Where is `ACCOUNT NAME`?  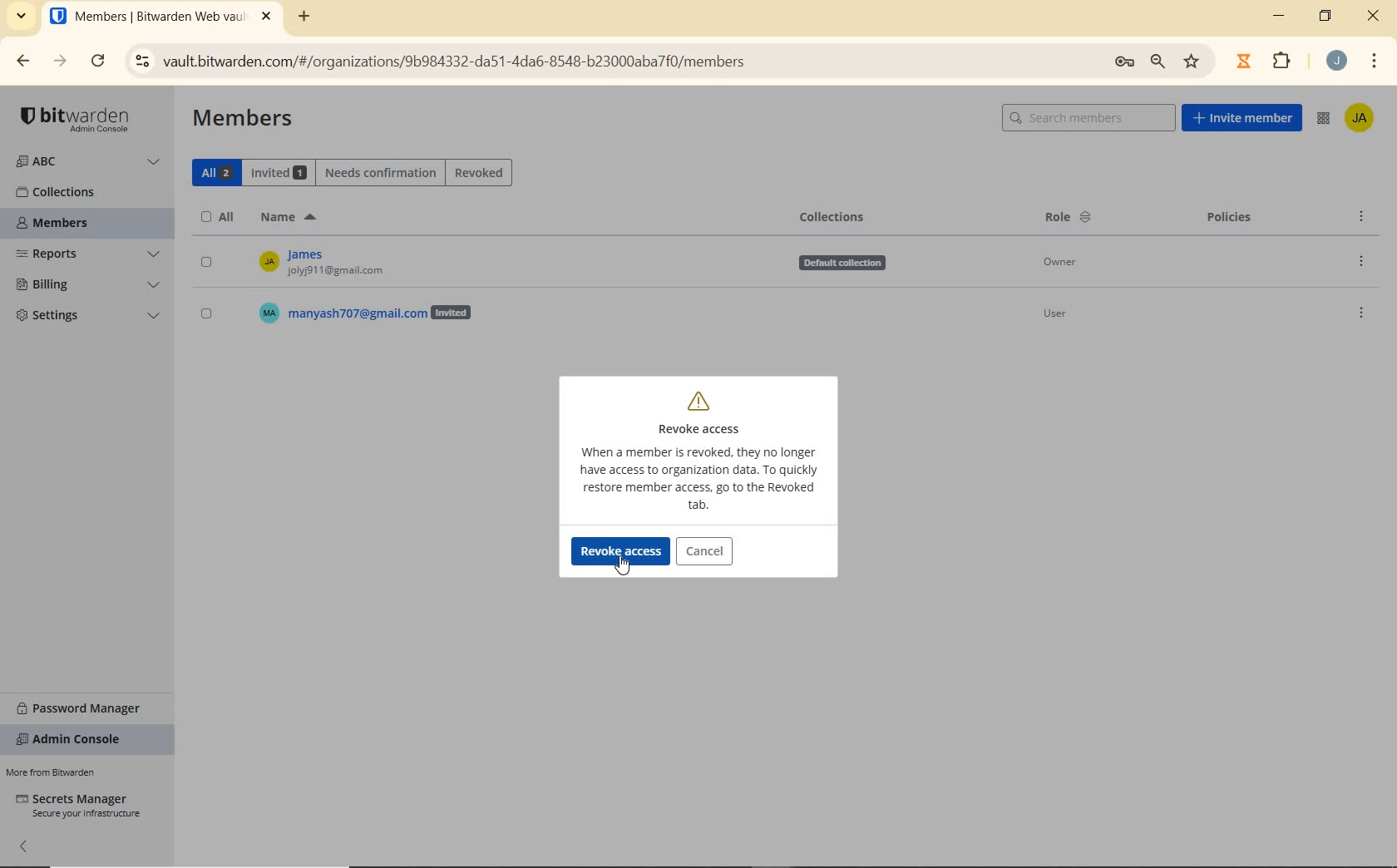 ACCOUNT NAME is located at coordinates (1362, 120).